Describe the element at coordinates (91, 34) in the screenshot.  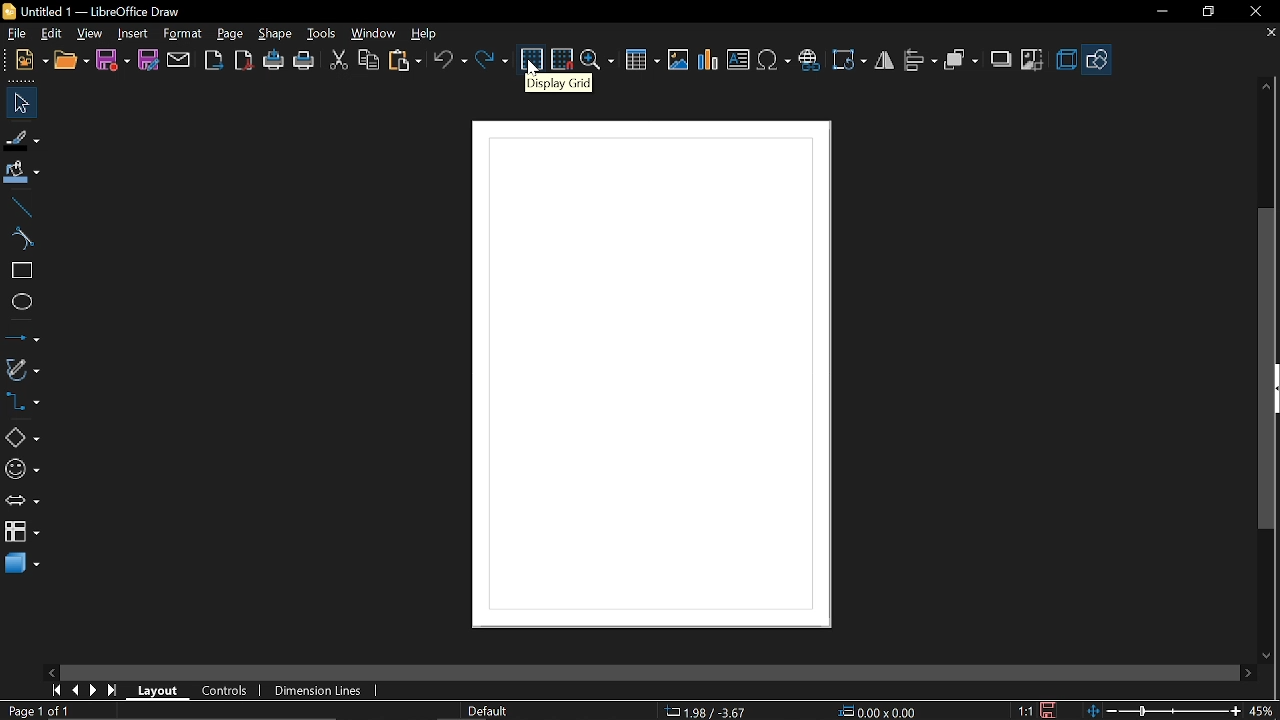
I see `View` at that location.